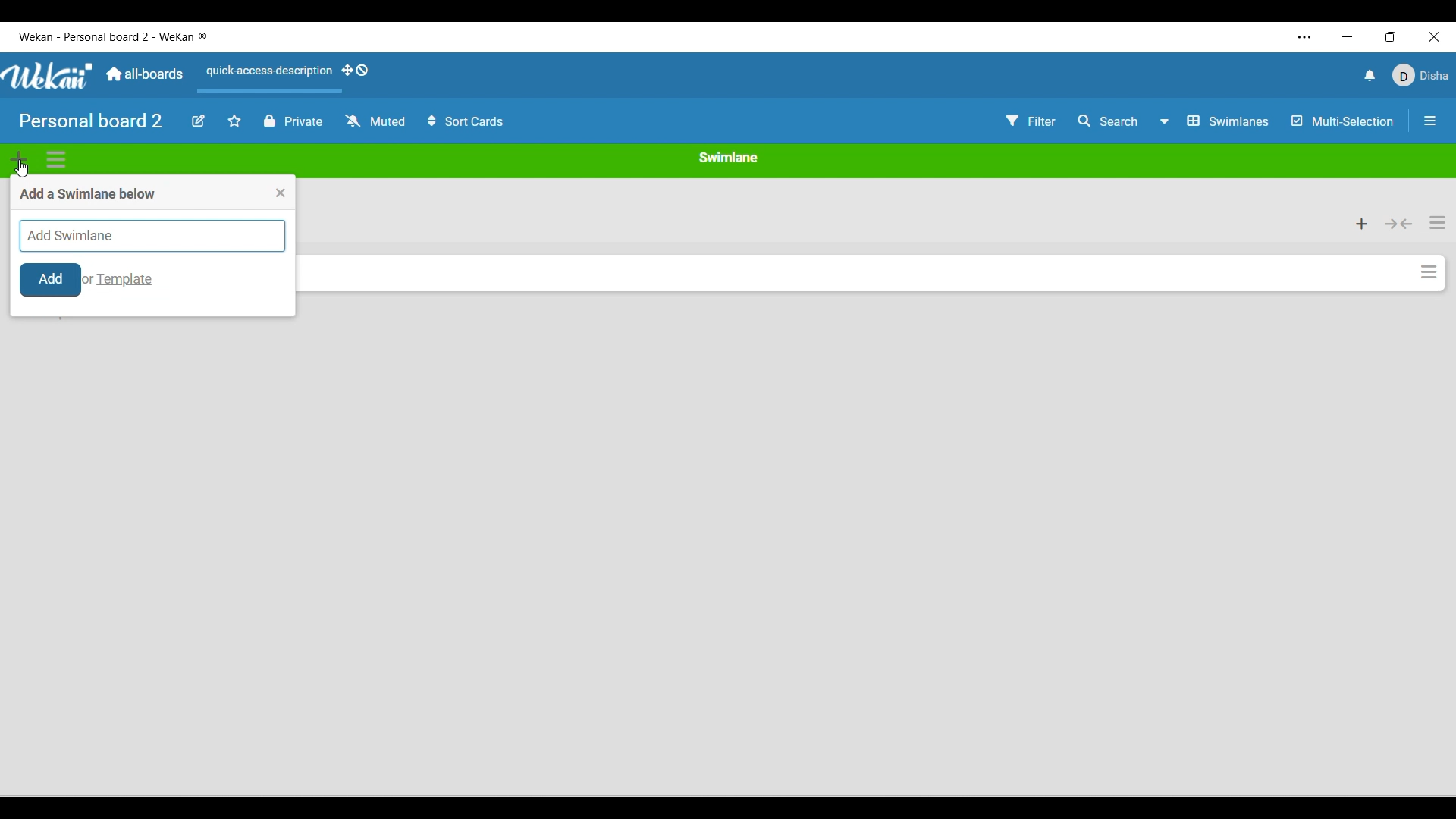 This screenshot has height=819, width=1456. Describe the element at coordinates (1305, 37) in the screenshot. I see `More settings` at that location.